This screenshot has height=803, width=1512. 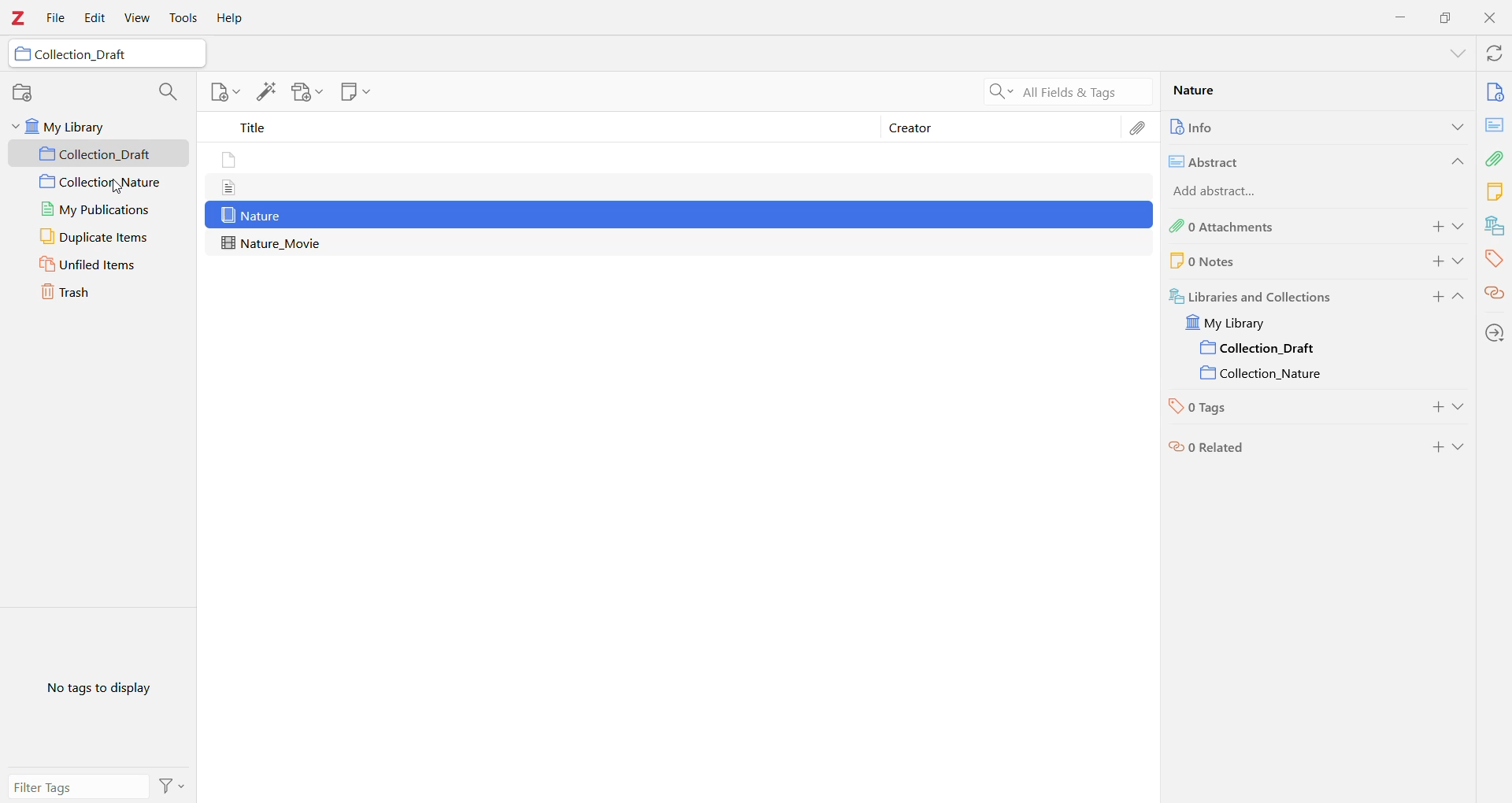 I want to click on 0 Tags, so click(x=1286, y=405).